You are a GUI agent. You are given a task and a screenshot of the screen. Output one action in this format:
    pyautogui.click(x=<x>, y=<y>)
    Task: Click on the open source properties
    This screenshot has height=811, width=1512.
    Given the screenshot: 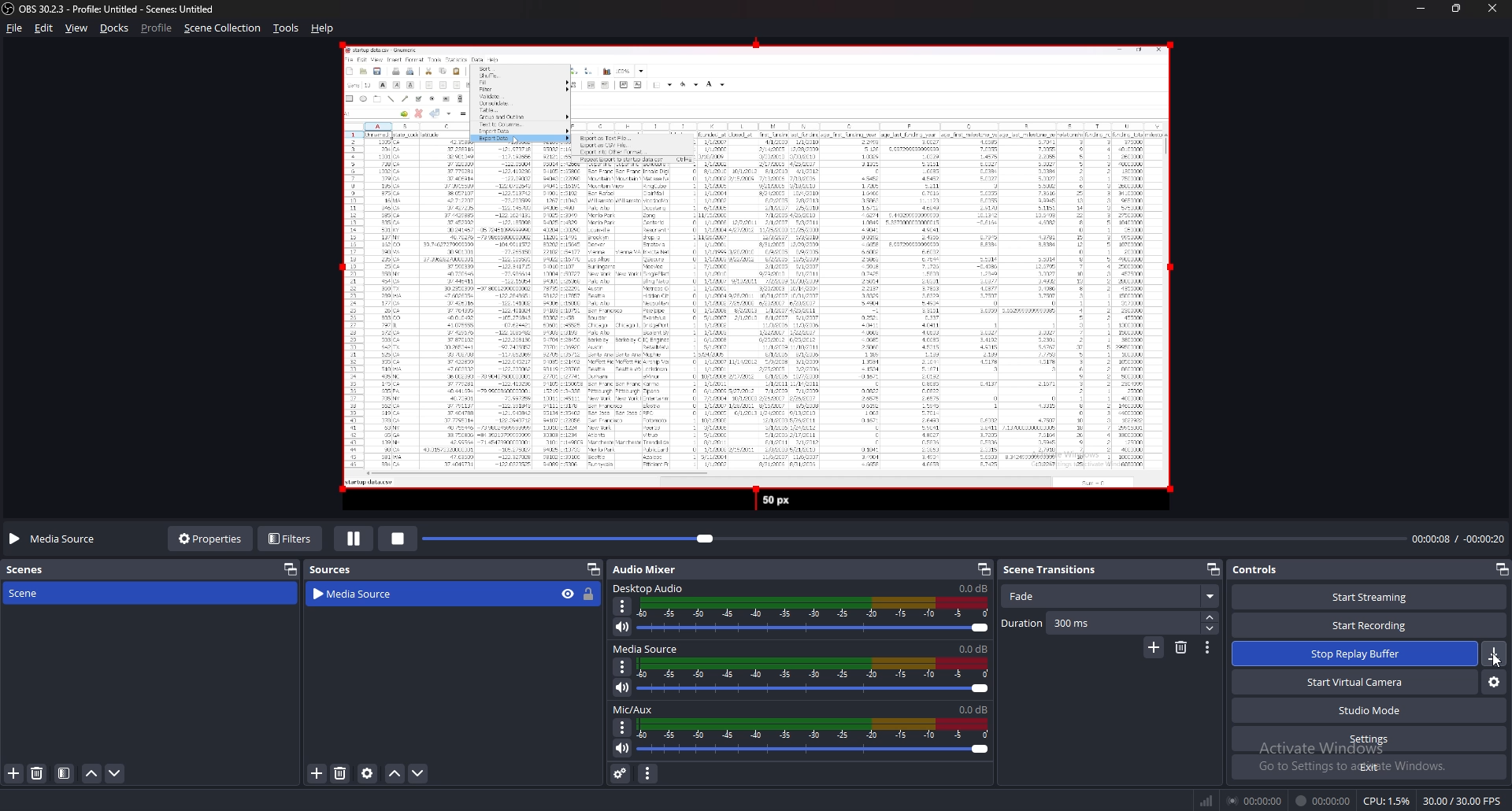 What is the action you would take?
    pyautogui.click(x=369, y=773)
    